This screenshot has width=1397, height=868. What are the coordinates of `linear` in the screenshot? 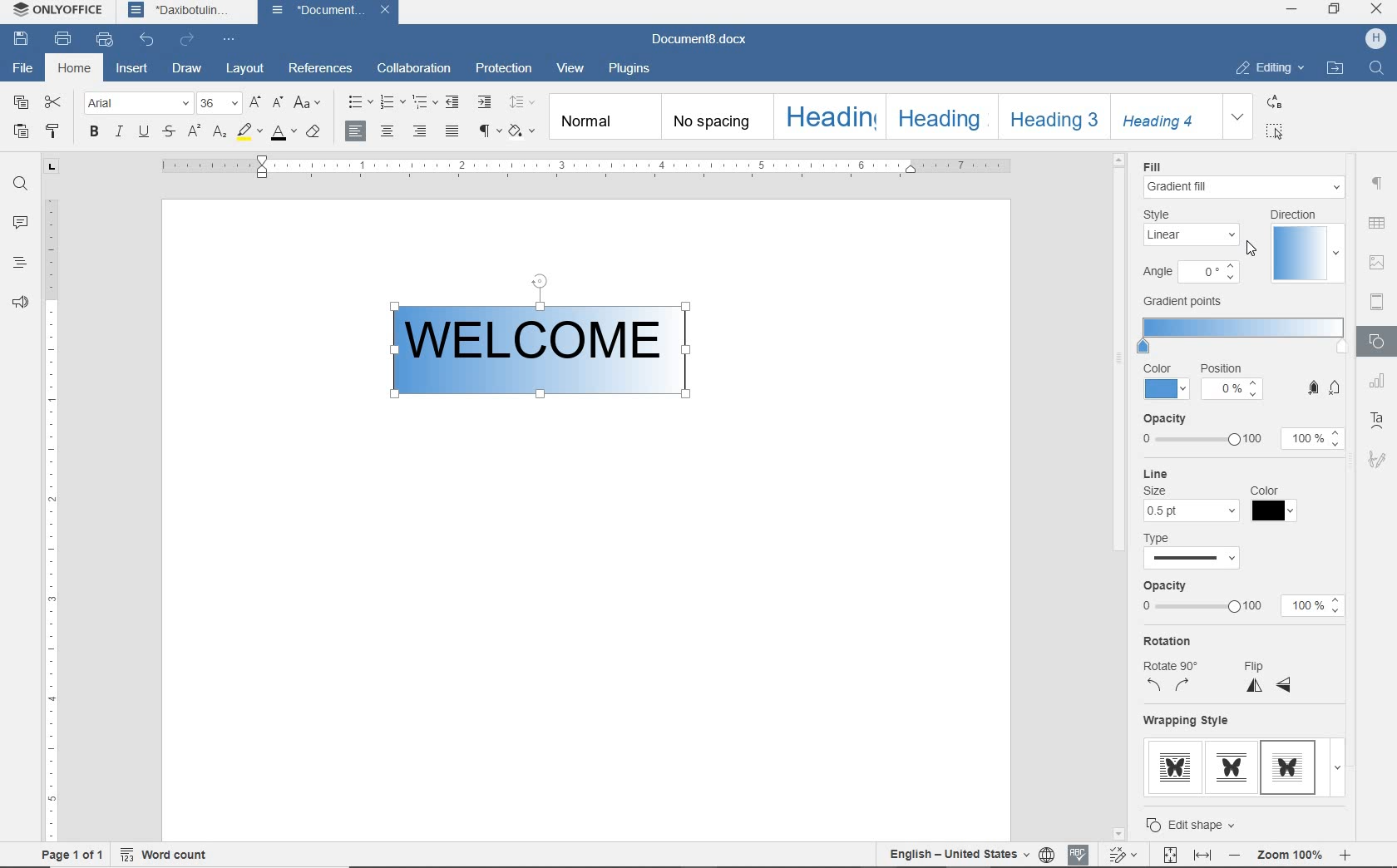 It's located at (1193, 236).